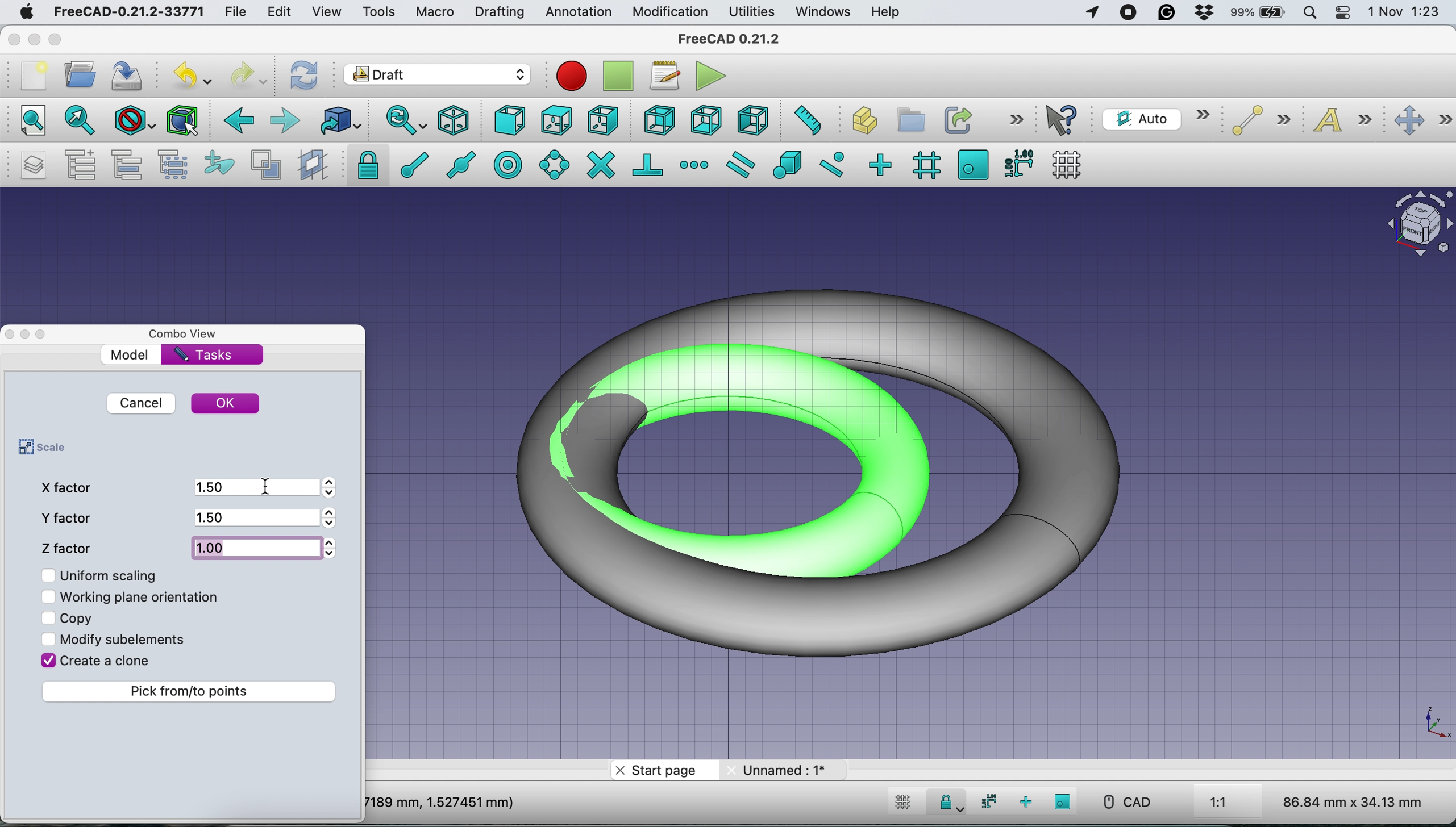  What do you see at coordinates (77, 122) in the screenshot?
I see `fit all selection` at bounding box center [77, 122].